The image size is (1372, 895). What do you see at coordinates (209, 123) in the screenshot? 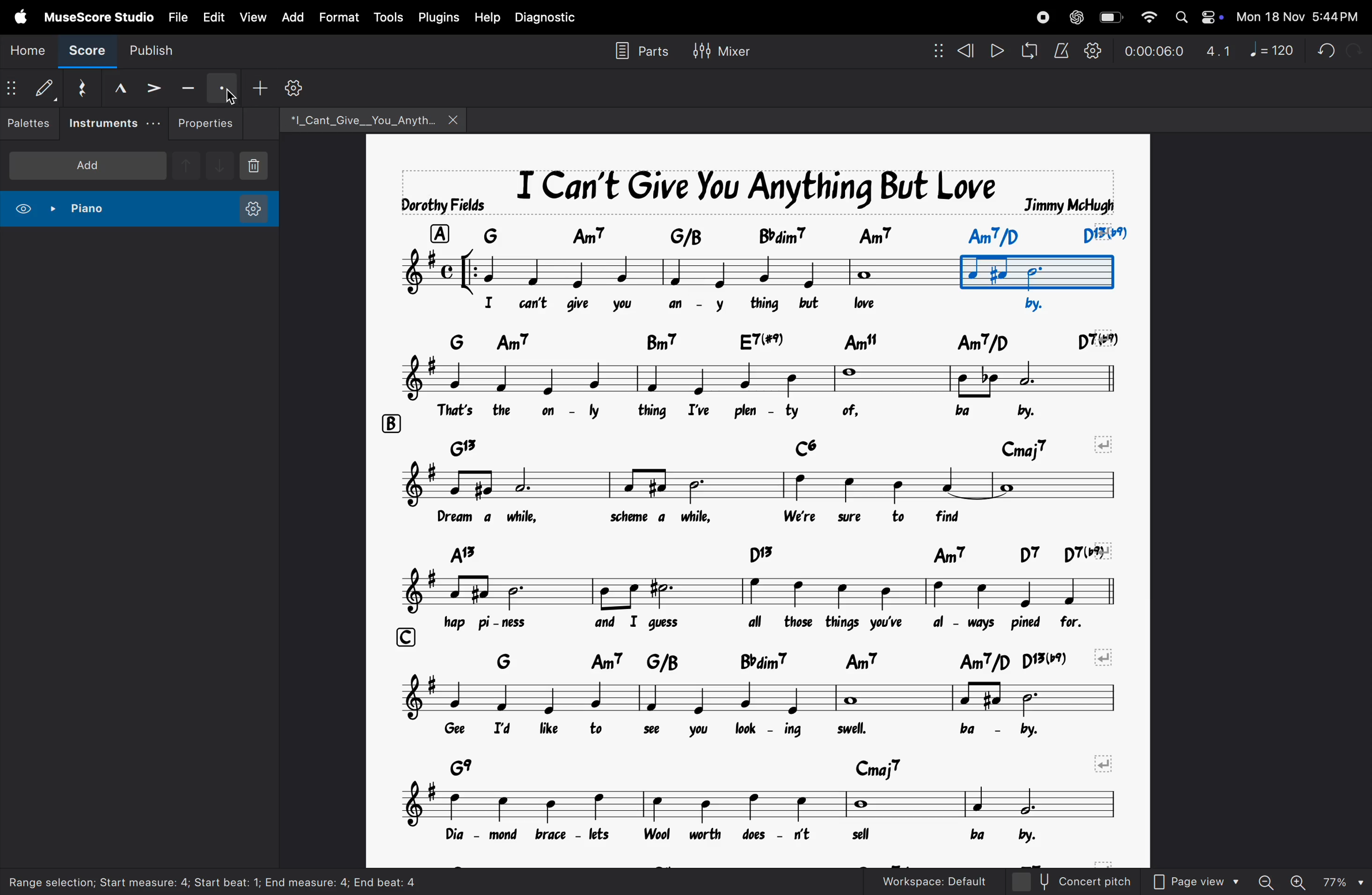
I see `properties` at bounding box center [209, 123].